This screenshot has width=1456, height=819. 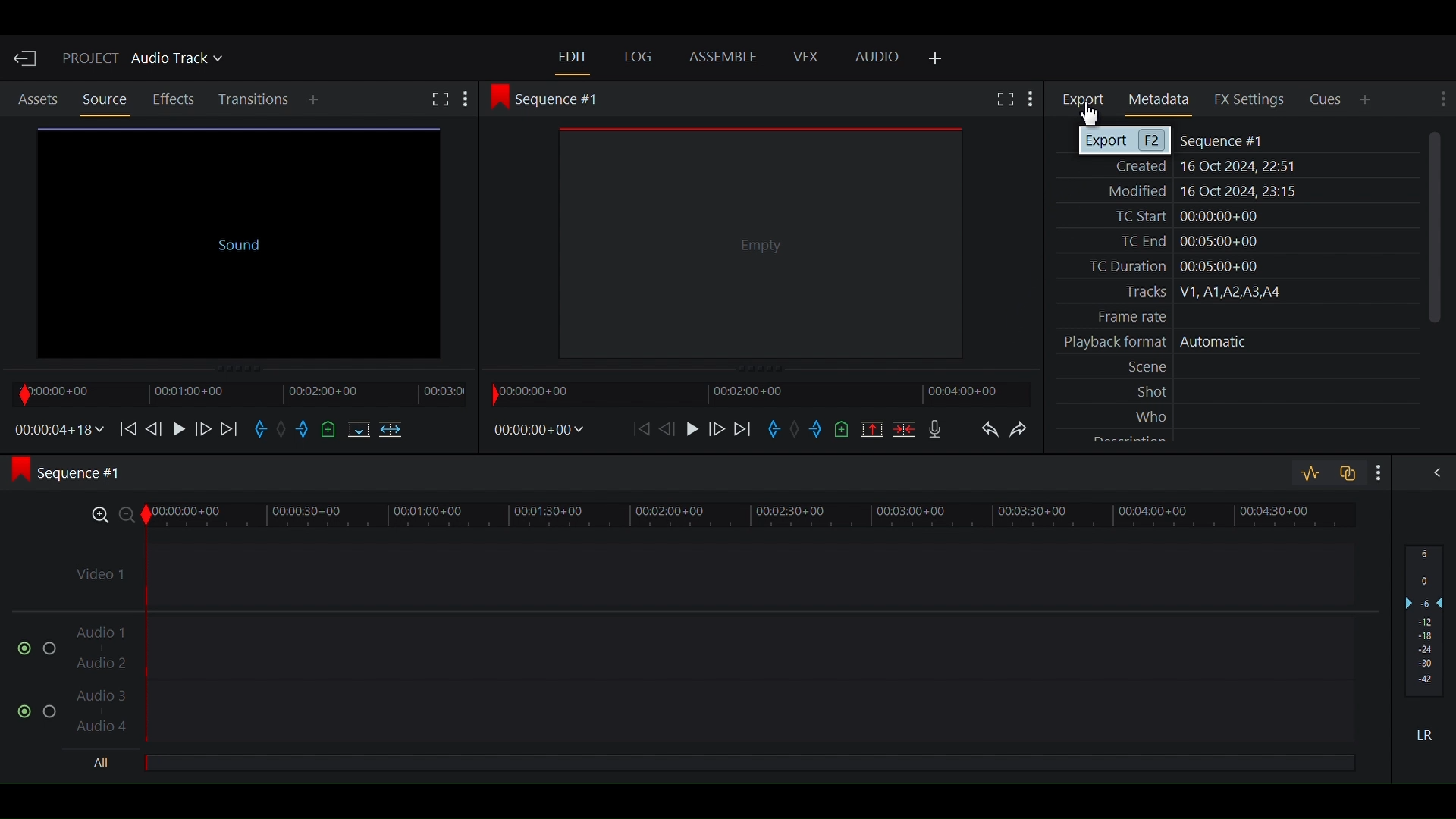 I want to click on Edit, so click(x=573, y=56).